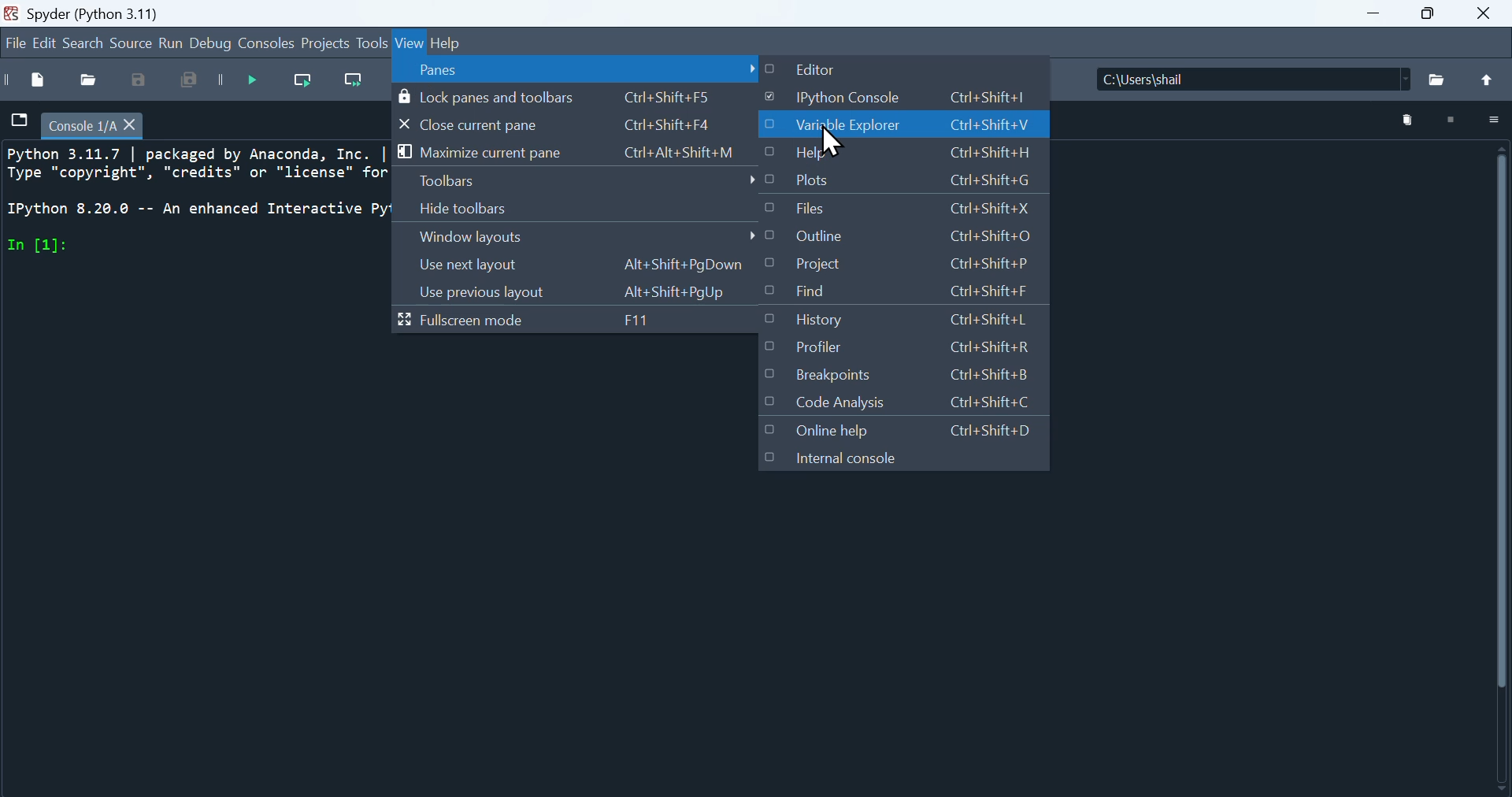  What do you see at coordinates (470, 236) in the screenshot?
I see `Window layouts` at bounding box center [470, 236].